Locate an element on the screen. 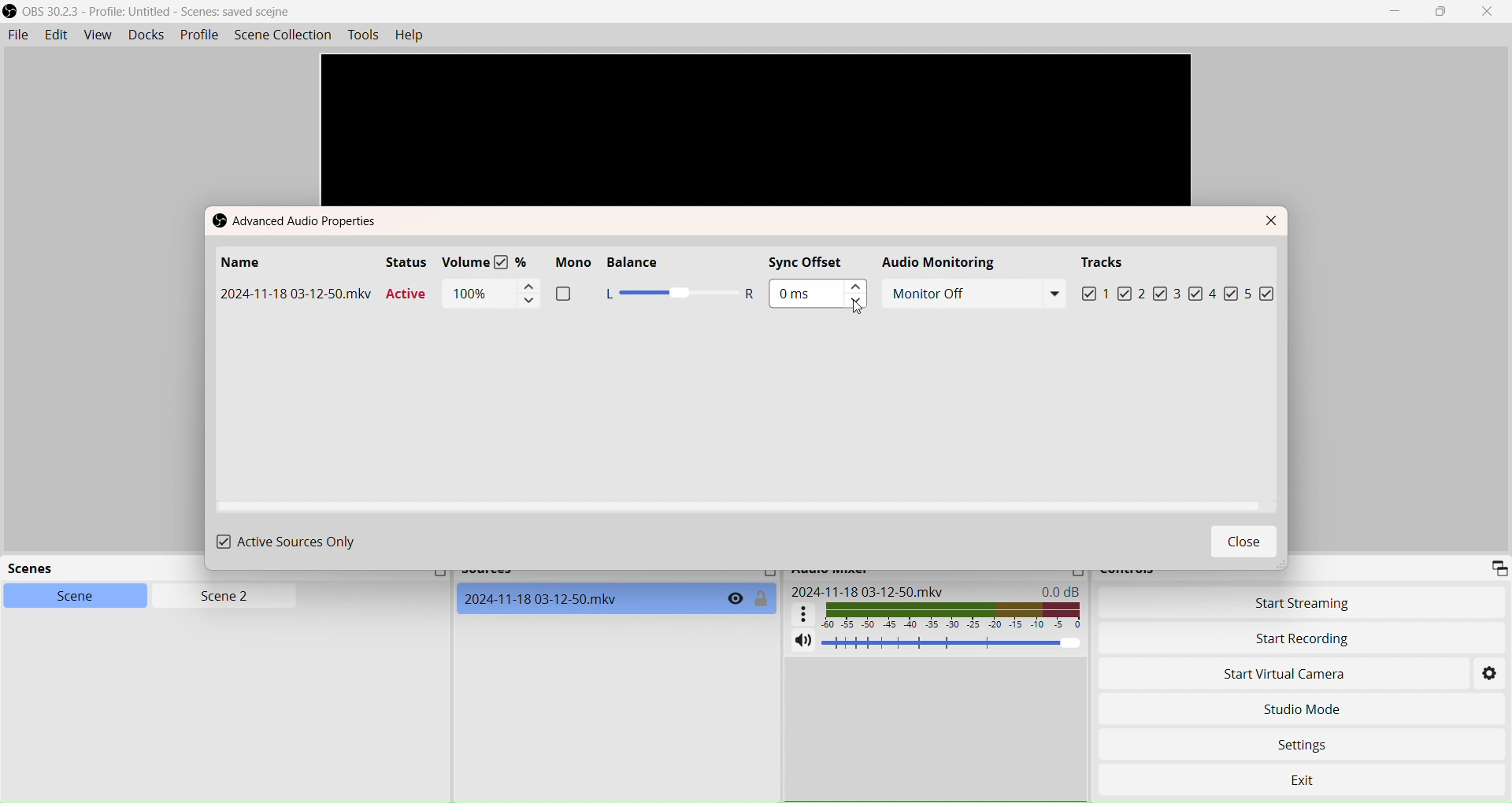 Image resolution: width=1512 pixels, height=803 pixels. Box is located at coordinates (1444, 12).